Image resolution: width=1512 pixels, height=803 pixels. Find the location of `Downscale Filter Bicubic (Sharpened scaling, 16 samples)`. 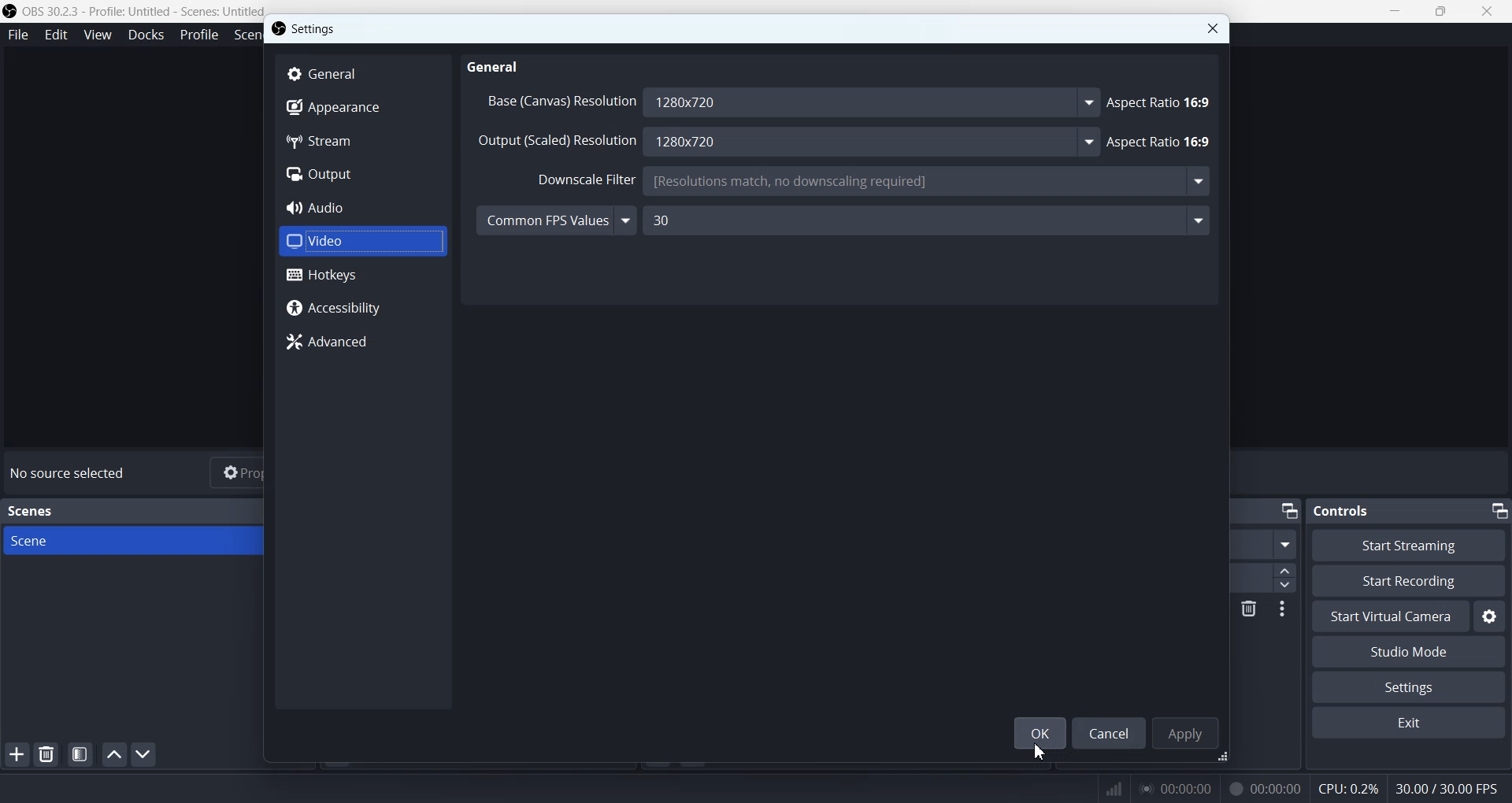

Downscale Filter Bicubic (Sharpened scaling, 16 samples) is located at coordinates (862, 183).